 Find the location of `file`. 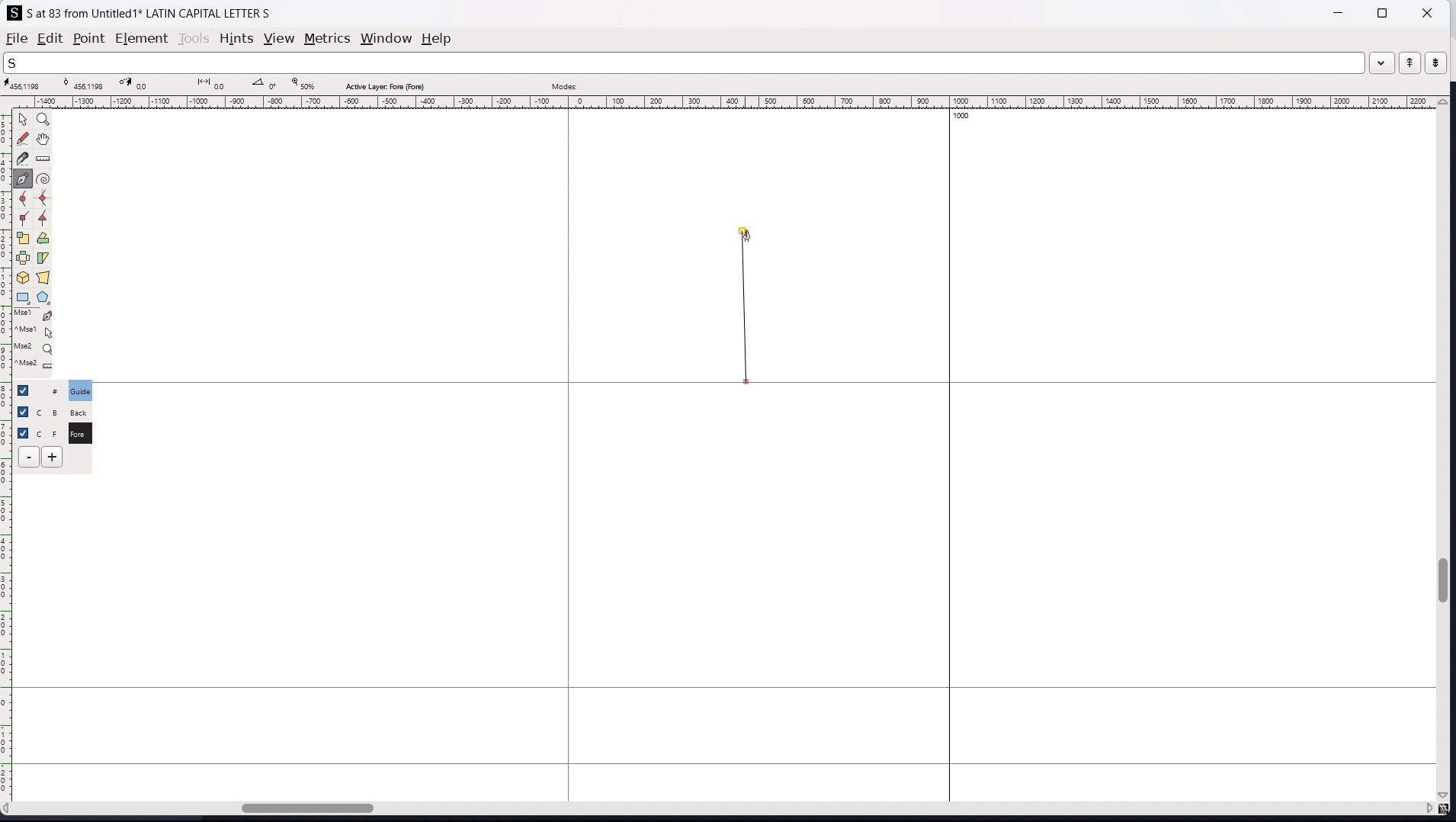

file is located at coordinates (17, 38).